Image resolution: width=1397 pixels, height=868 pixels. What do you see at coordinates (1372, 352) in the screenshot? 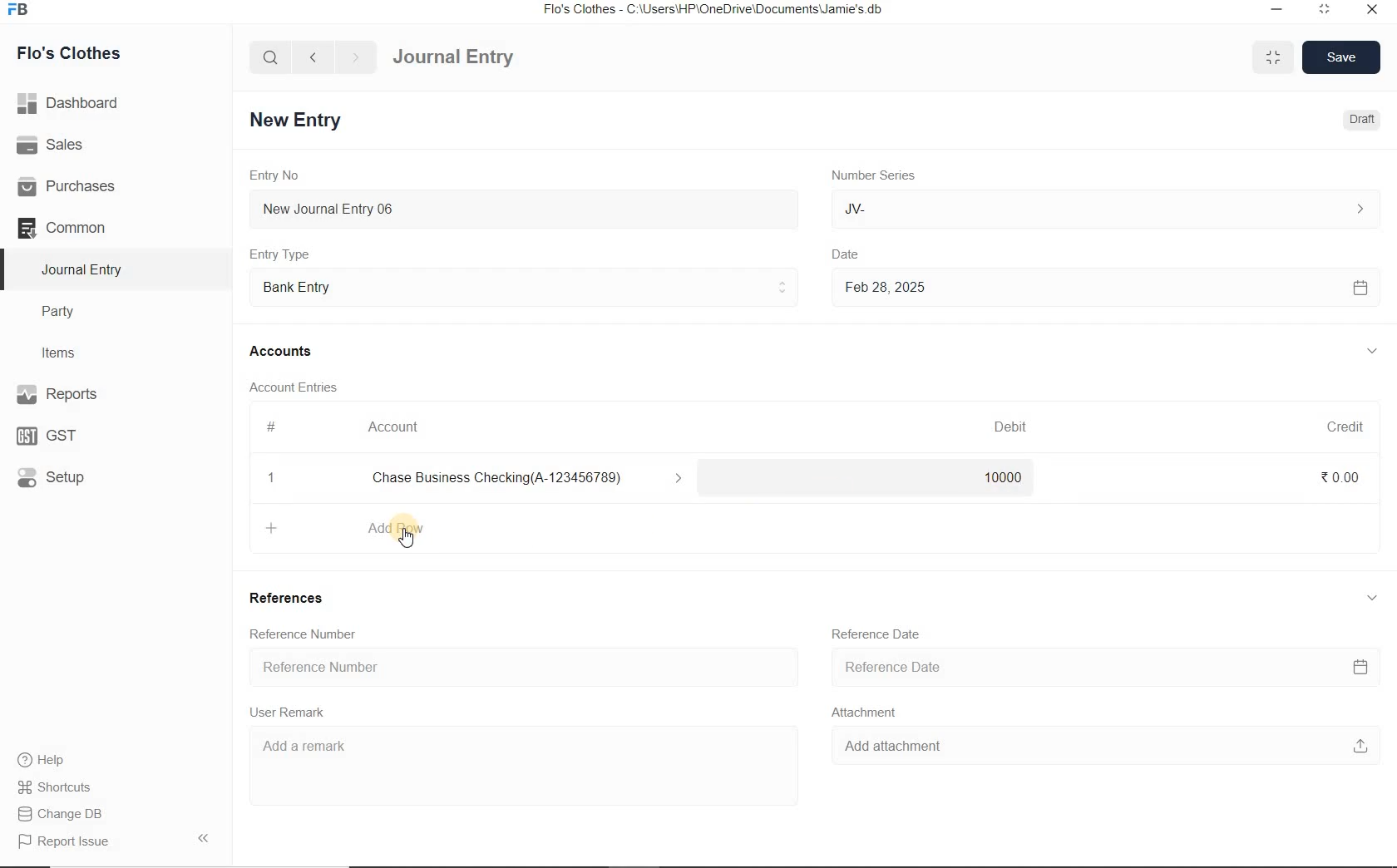
I see `collapse` at bounding box center [1372, 352].